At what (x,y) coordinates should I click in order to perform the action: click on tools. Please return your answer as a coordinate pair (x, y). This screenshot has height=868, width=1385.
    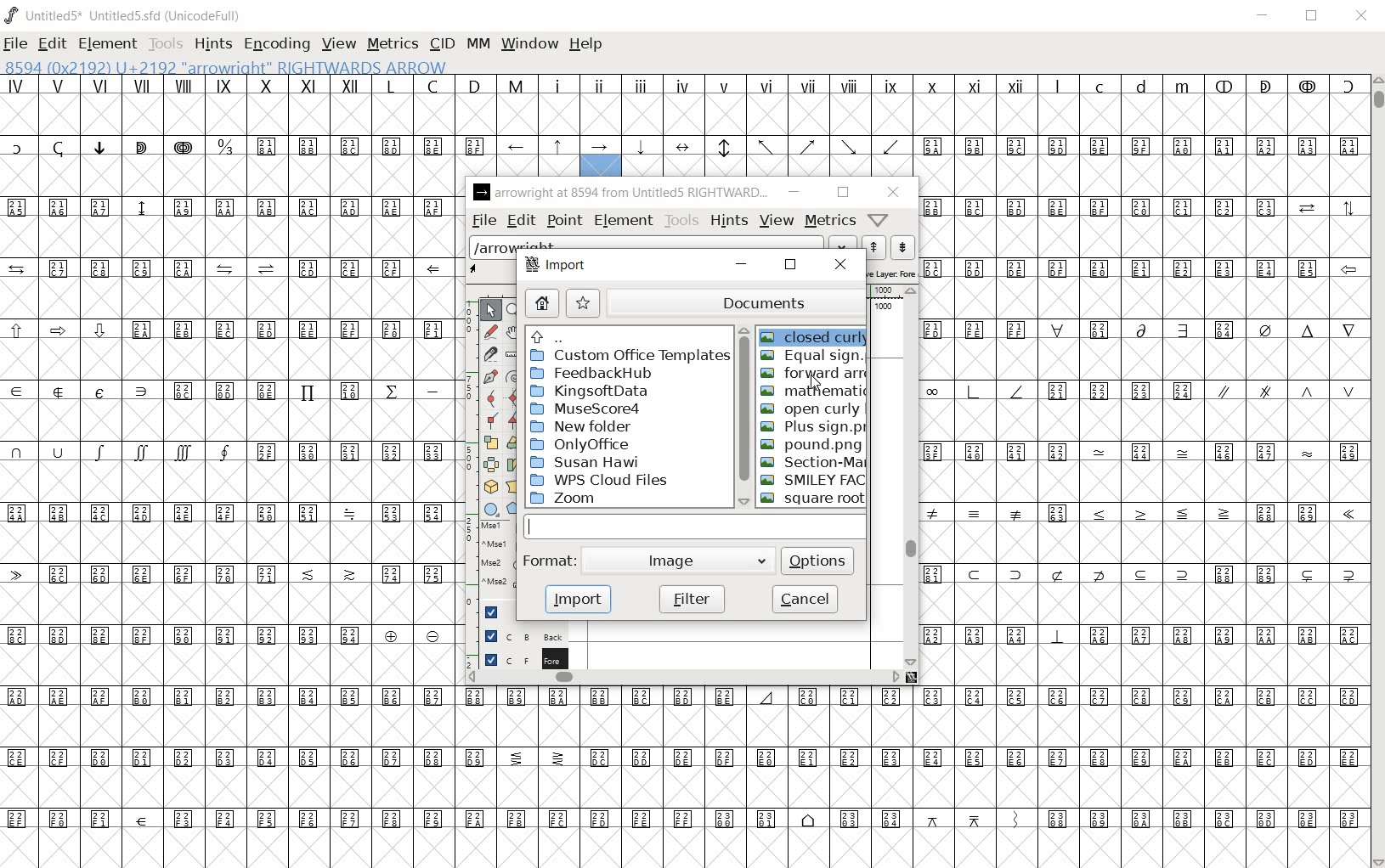
    Looking at the image, I should click on (682, 220).